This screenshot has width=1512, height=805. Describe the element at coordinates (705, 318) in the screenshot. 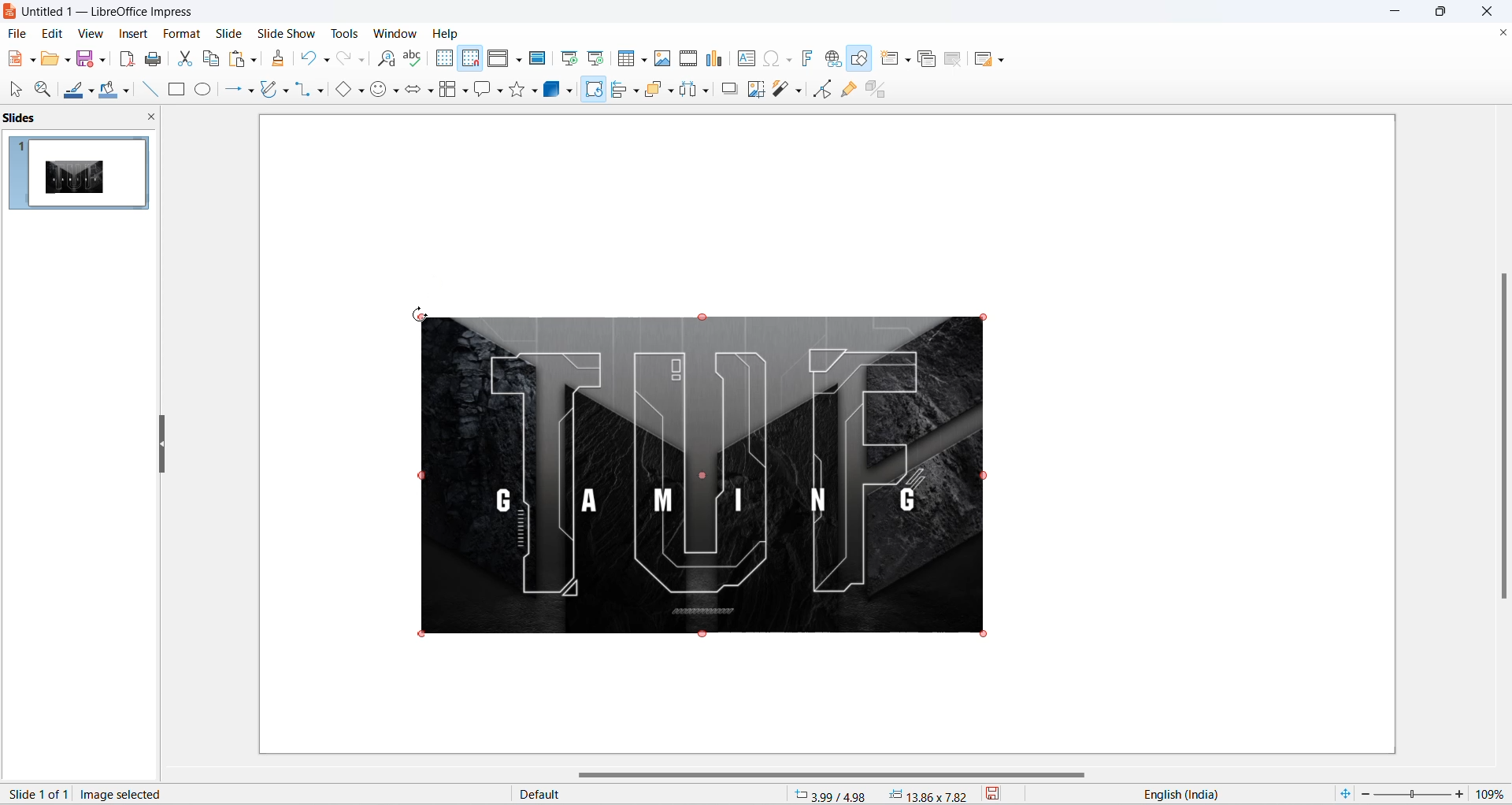

I see `image selection markup` at that location.